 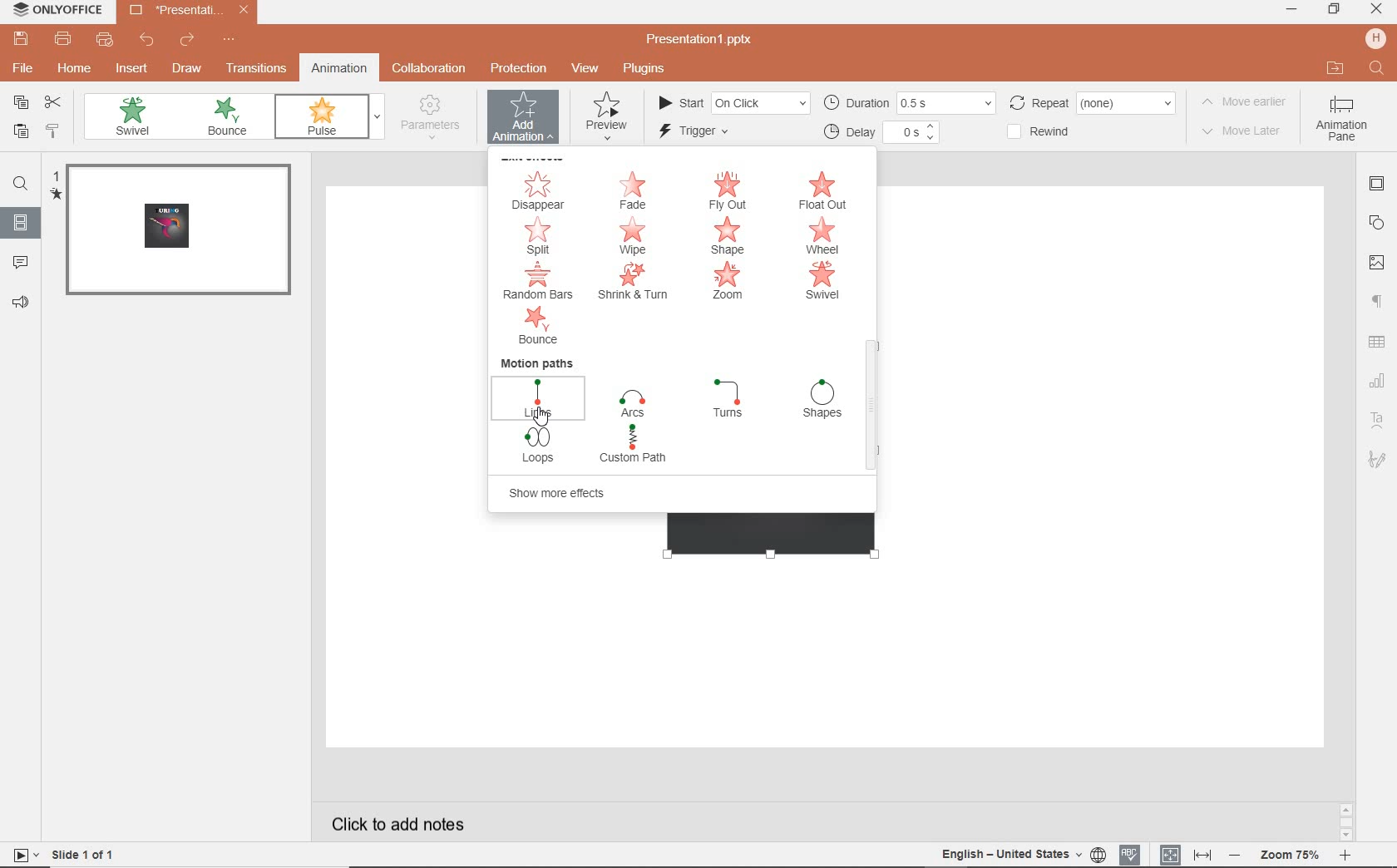 I want to click on pulse, so click(x=320, y=117).